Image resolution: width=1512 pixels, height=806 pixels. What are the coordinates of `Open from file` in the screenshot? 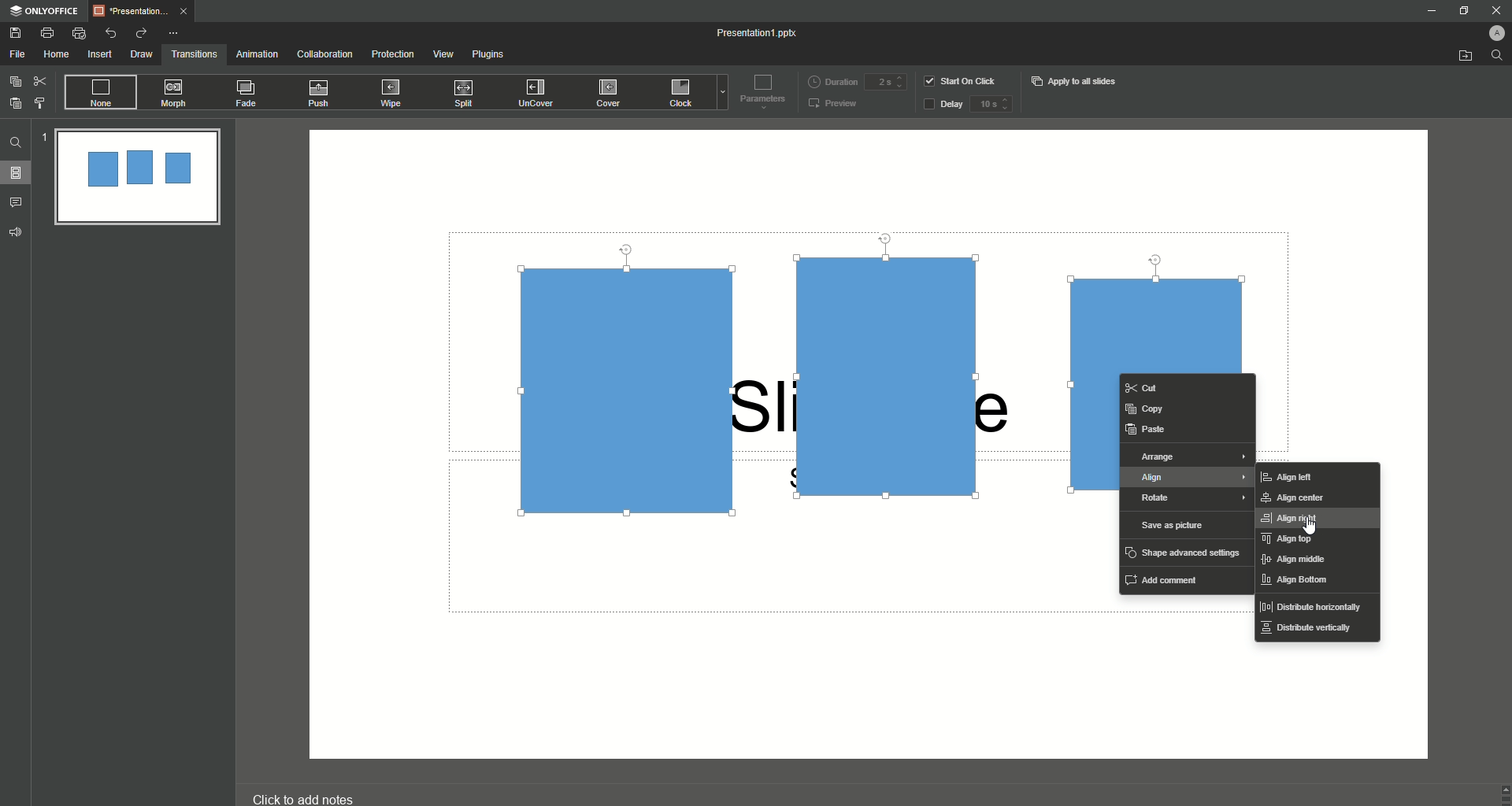 It's located at (1465, 57).